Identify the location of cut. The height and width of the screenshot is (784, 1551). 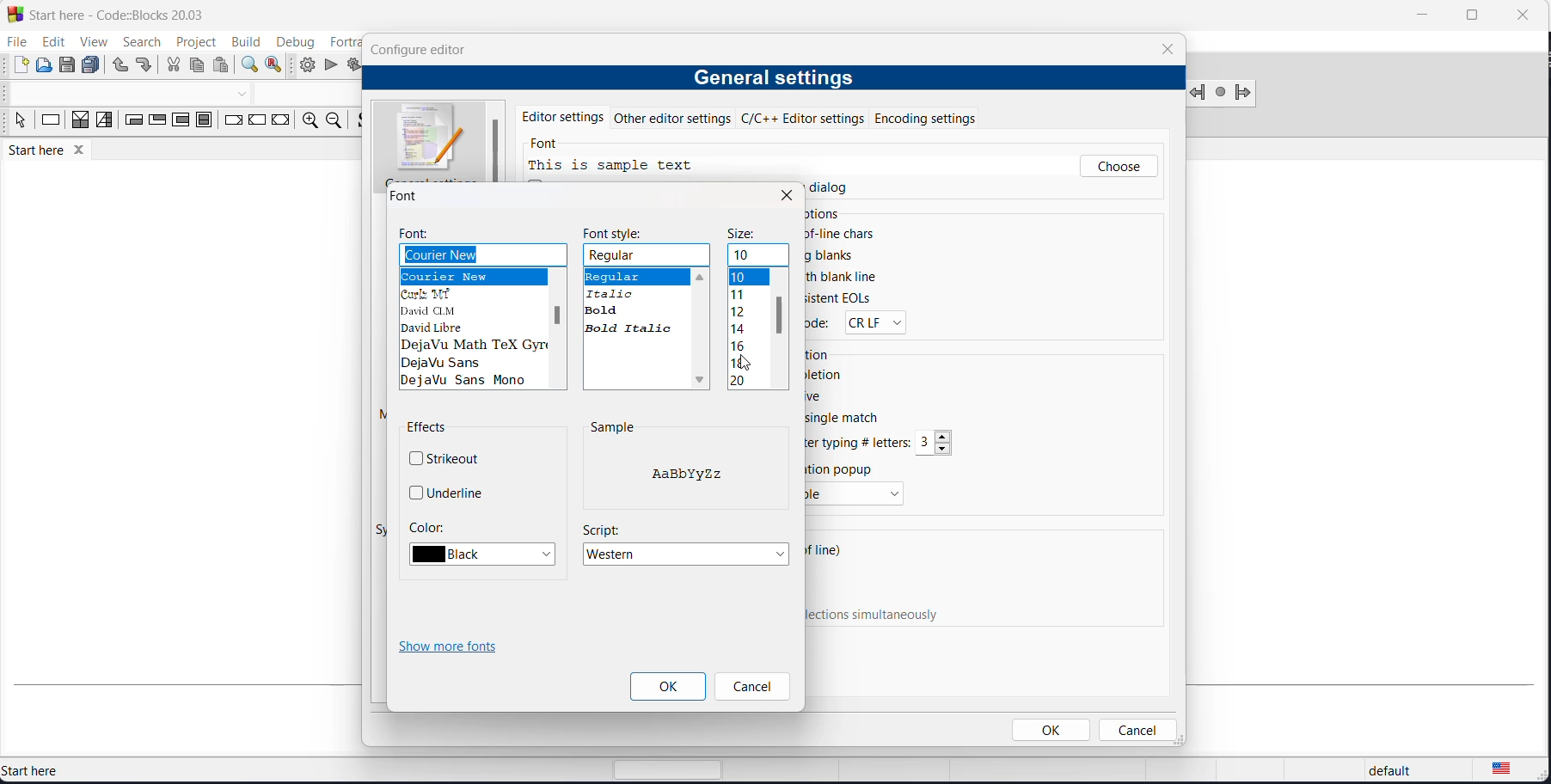
(173, 67).